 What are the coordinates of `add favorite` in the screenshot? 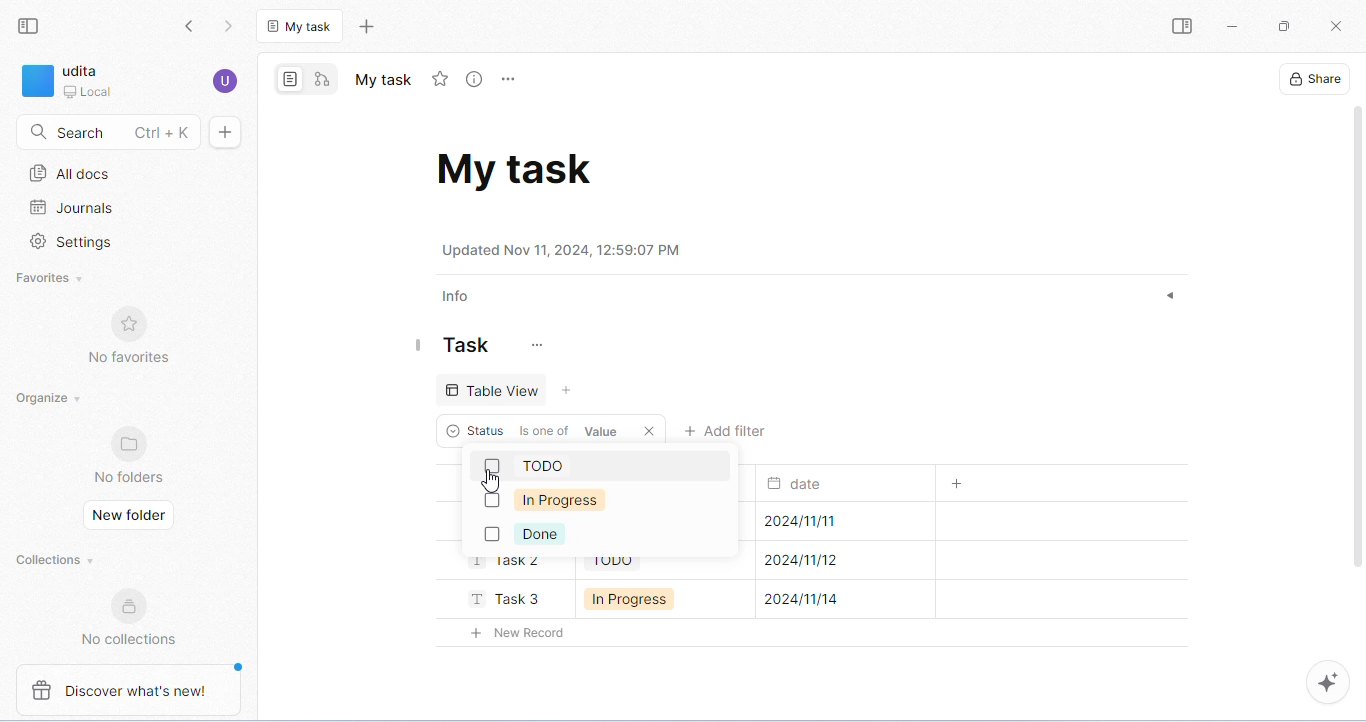 It's located at (440, 79).